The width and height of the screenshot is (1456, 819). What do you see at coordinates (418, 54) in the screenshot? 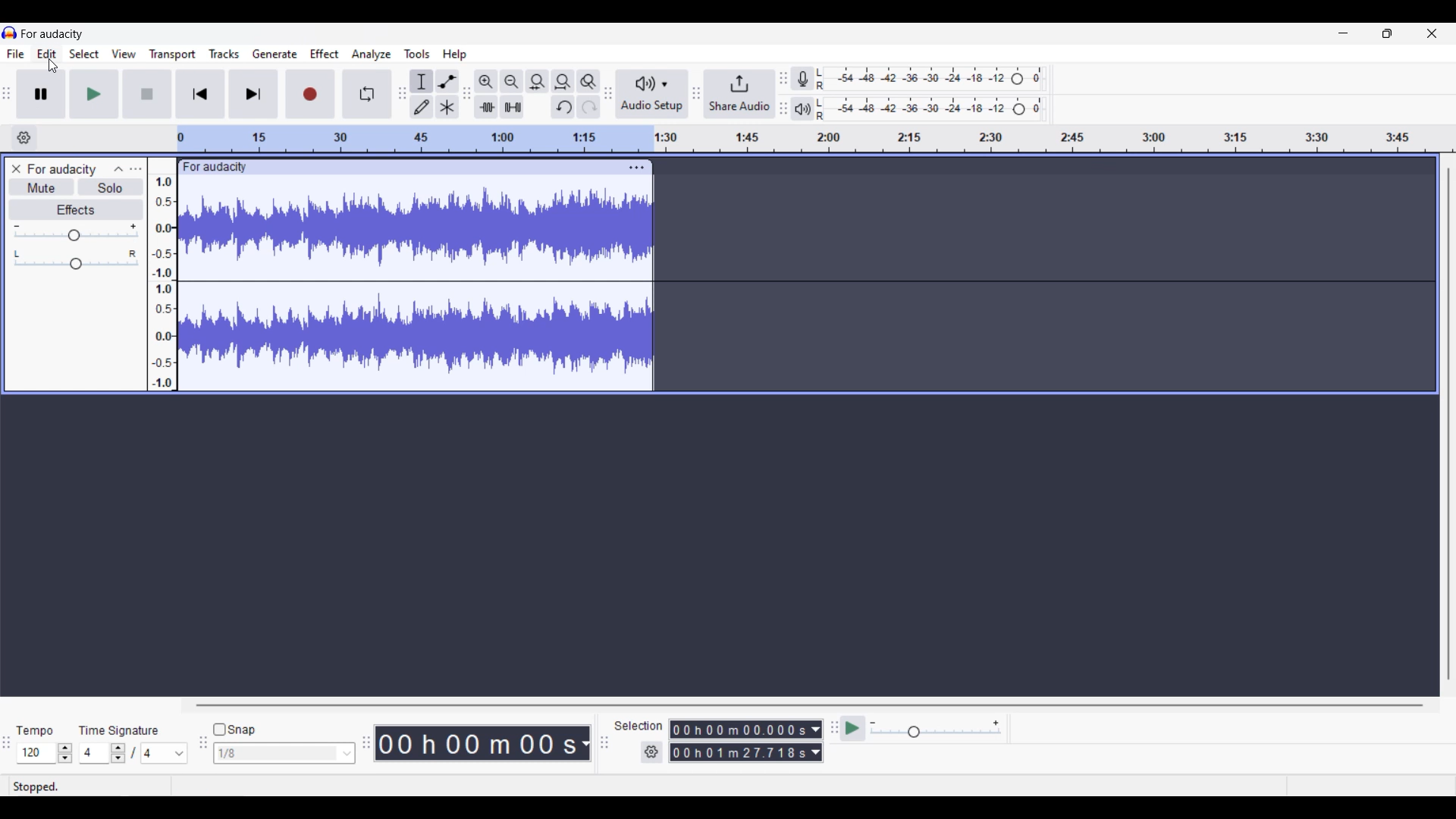
I see `Tools menu` at bounding box center [418, 54].